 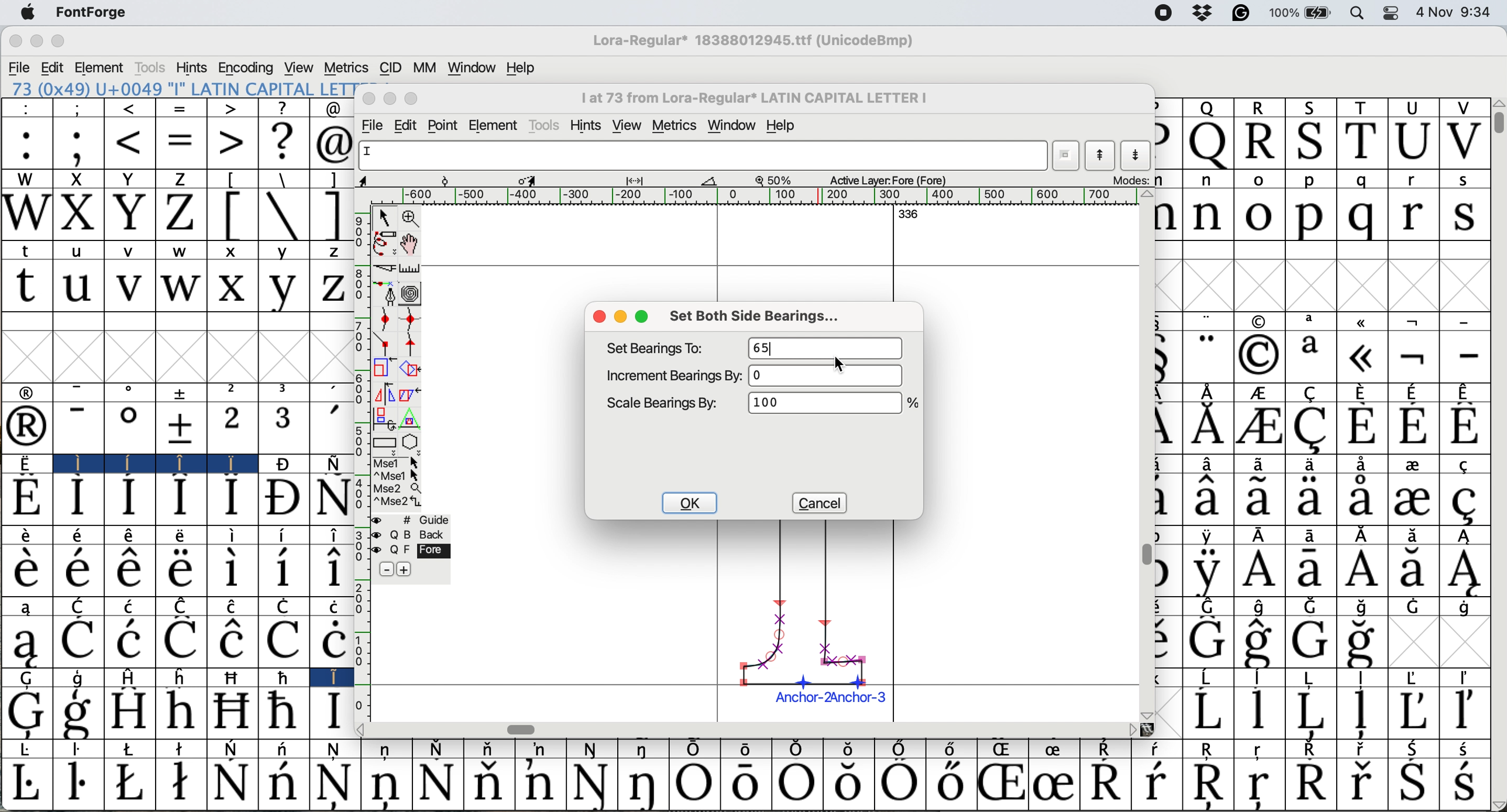 What do you see at coordinates (1312, 428) in the screenshot?
I see `Symbol` at bounding box center [1312, 428].